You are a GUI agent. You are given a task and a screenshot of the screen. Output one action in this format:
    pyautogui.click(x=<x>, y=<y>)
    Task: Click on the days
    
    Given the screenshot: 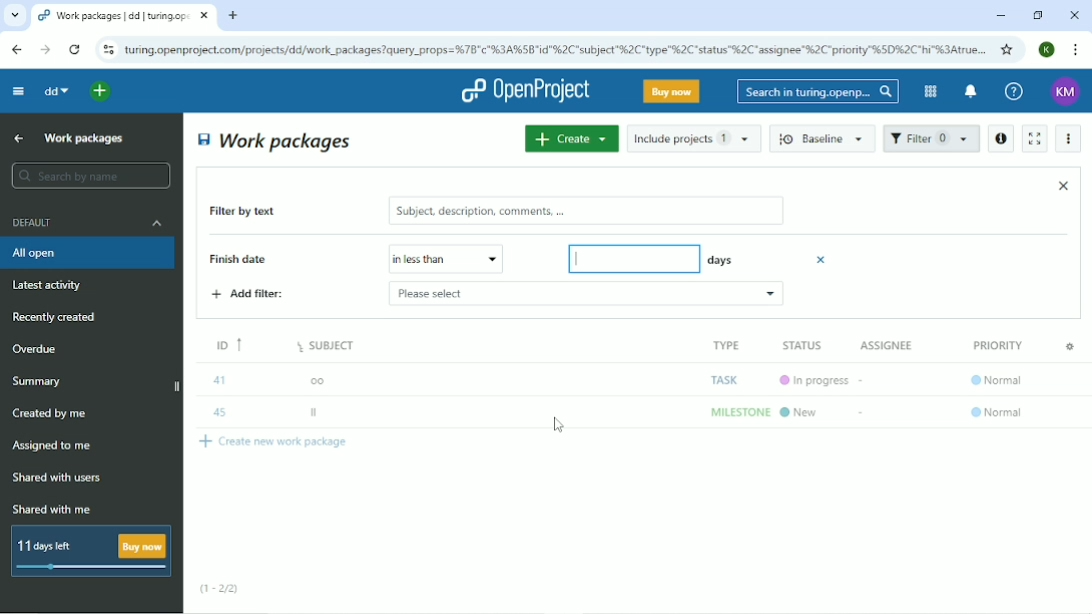 What is the action you would take?
    pyautogui.click(x=631, y=259)
    